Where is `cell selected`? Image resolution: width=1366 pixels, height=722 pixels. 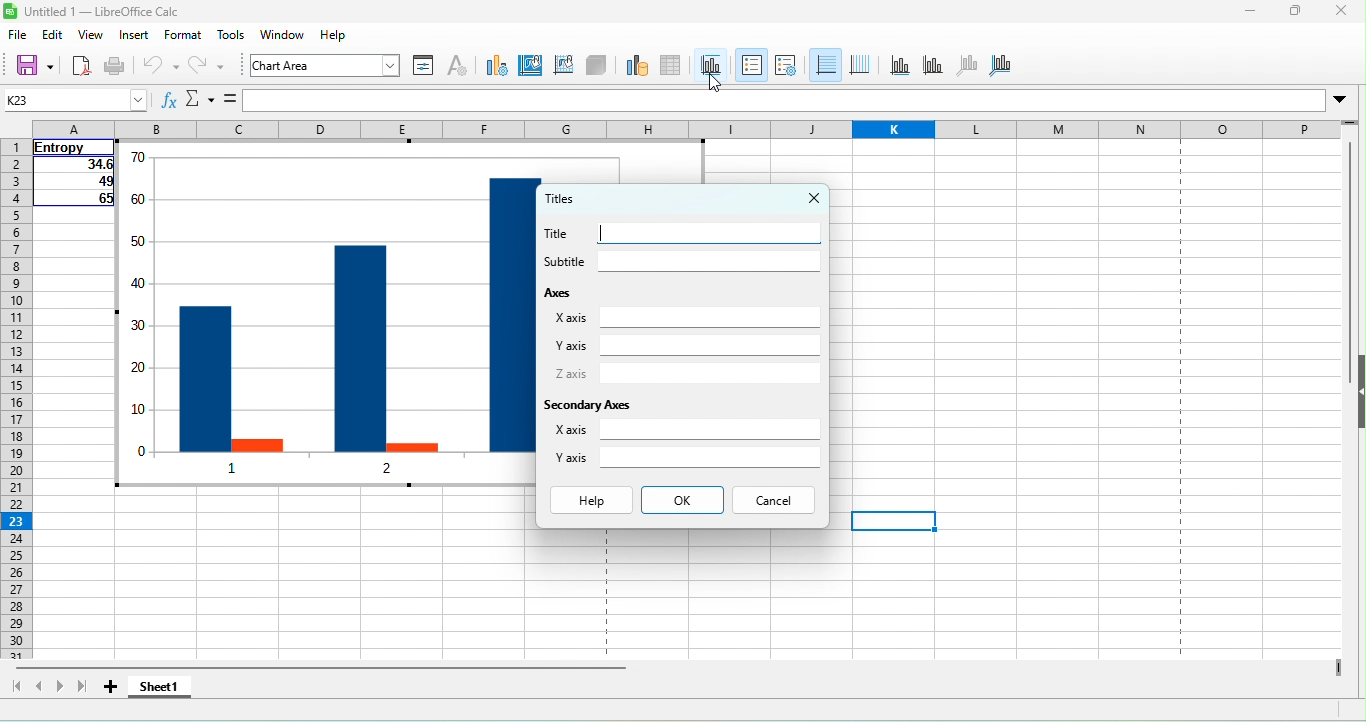 cell selected is located at coordinates (891, 522).